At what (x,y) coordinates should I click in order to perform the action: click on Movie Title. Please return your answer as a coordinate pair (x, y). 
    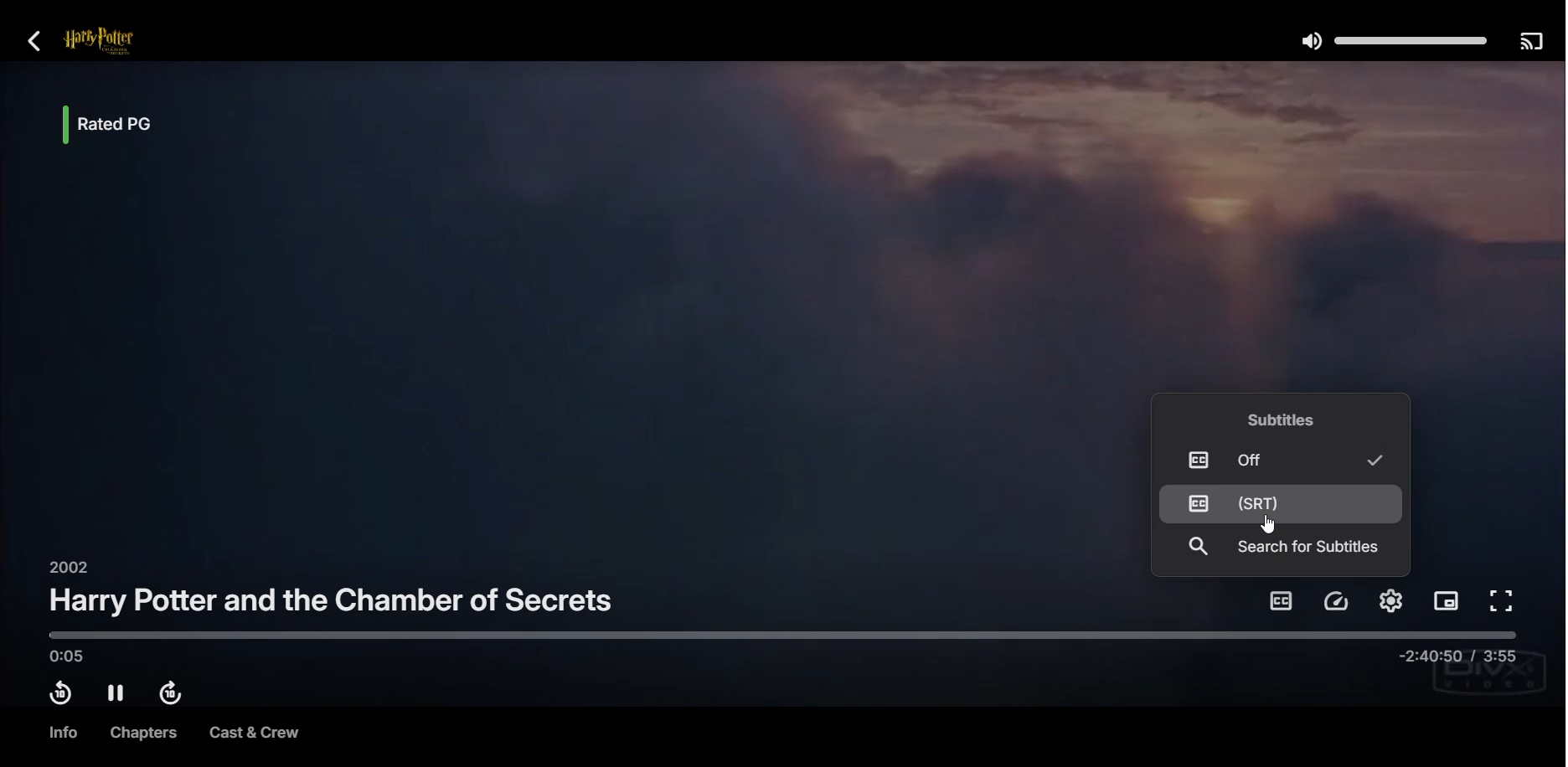
    Looking at the image, I should click on (333, 600).